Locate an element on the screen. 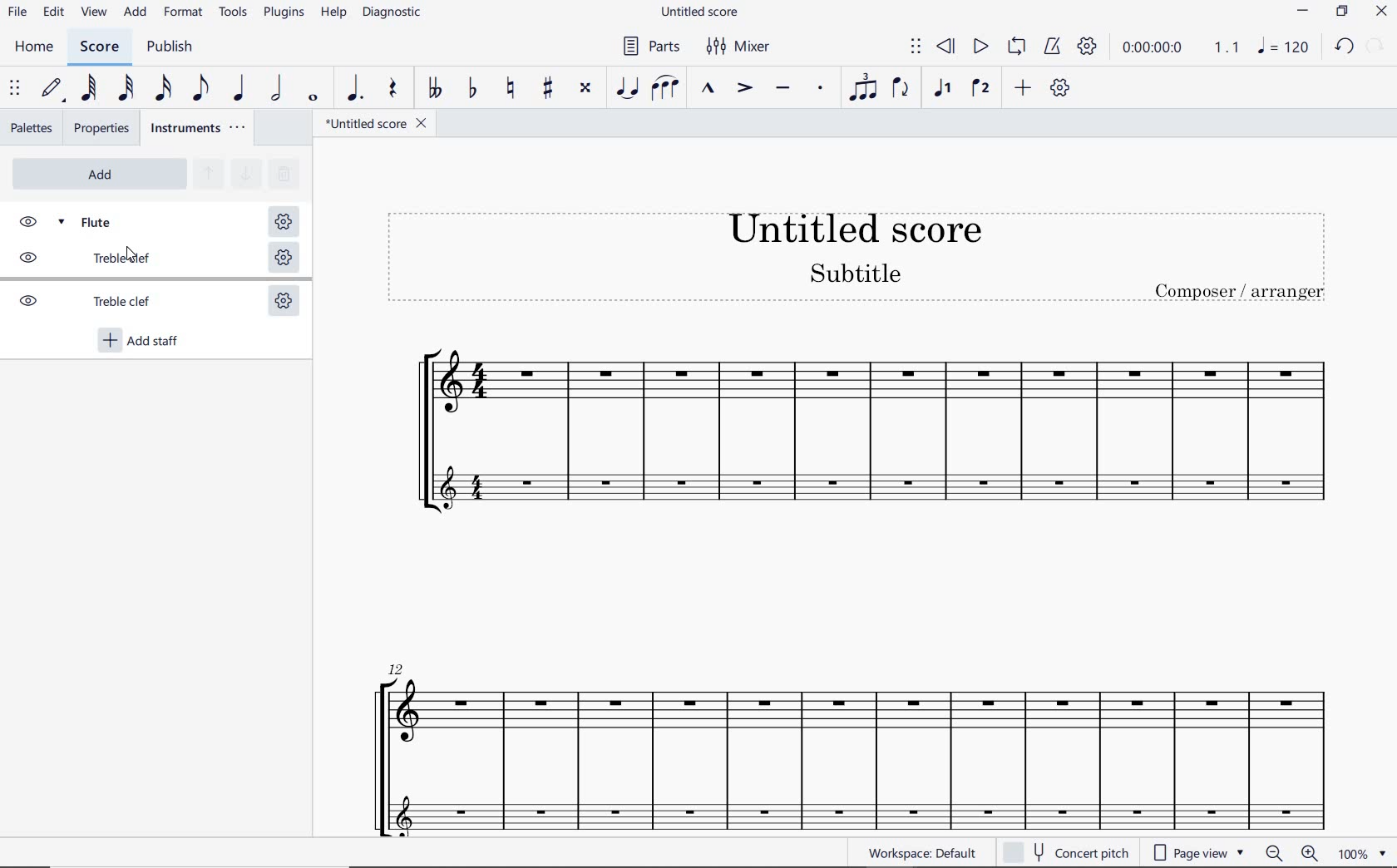 This screenshot has width=1397, height=868. TOGGLE DOUBLE-FLAT is located at coordinates (433, 89).